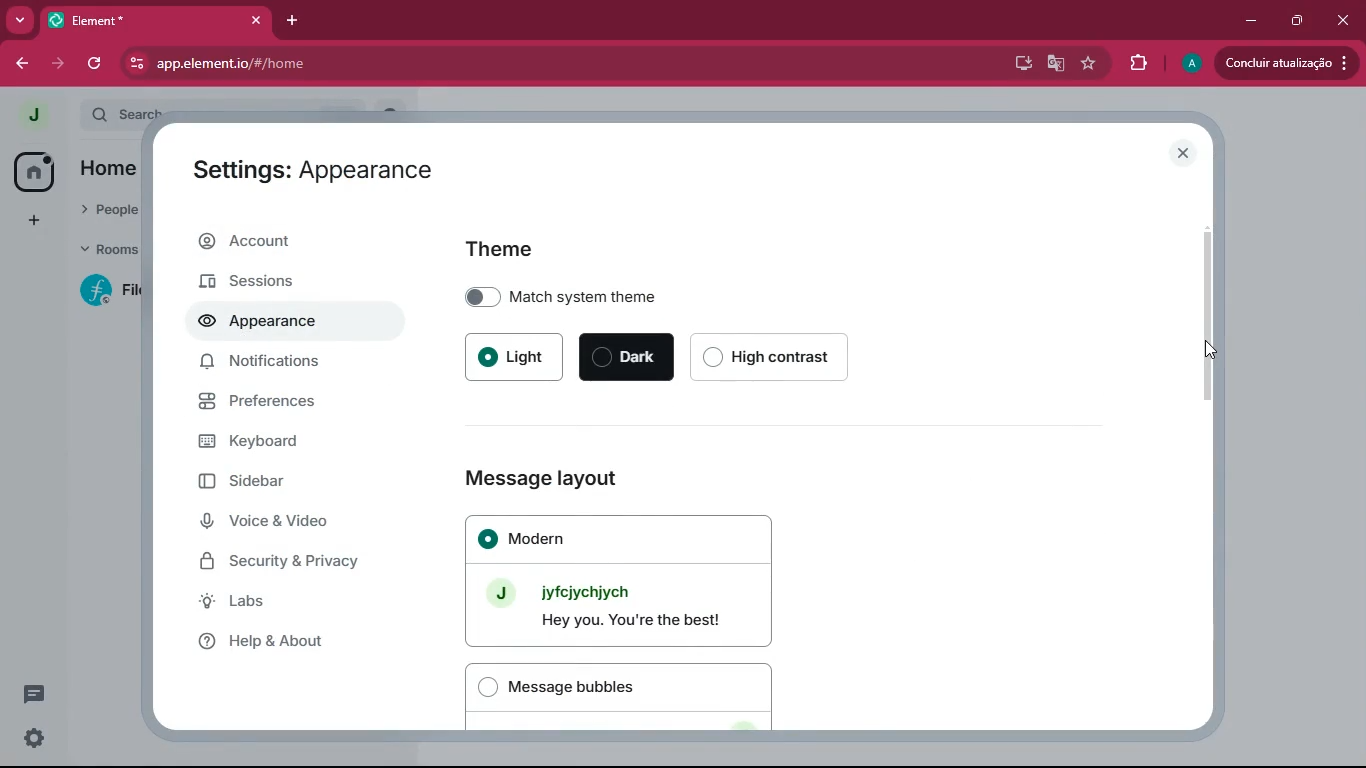 This screenshot has height=768, width=1366. What do you see at coordinates (286, 243) in the screenshot?
I see `account` at bounding box center [286, 243].